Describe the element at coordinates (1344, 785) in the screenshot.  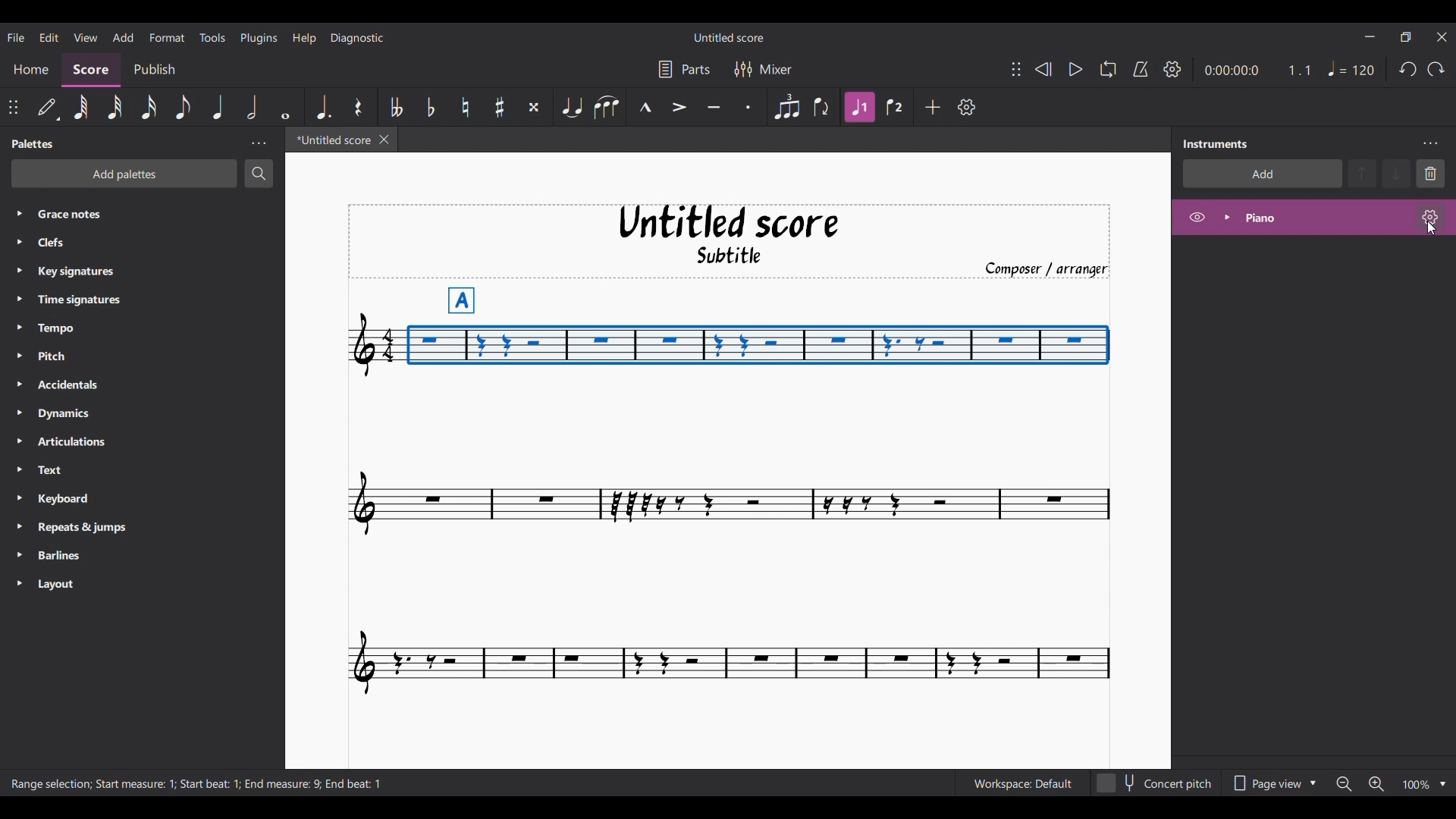
I see `Zoom out` at that location.